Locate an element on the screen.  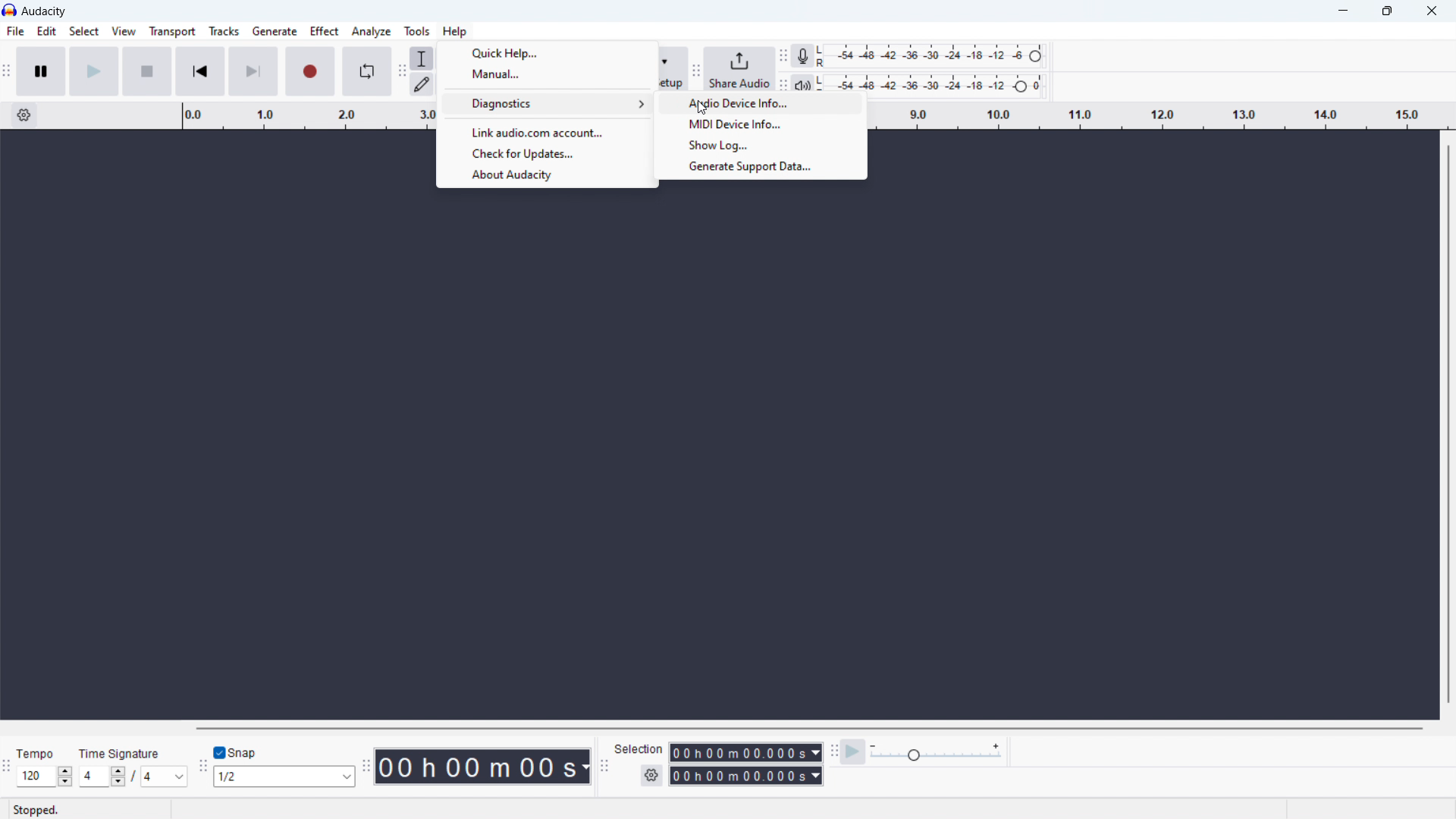
playback meter is located at coordinates (803, 83).